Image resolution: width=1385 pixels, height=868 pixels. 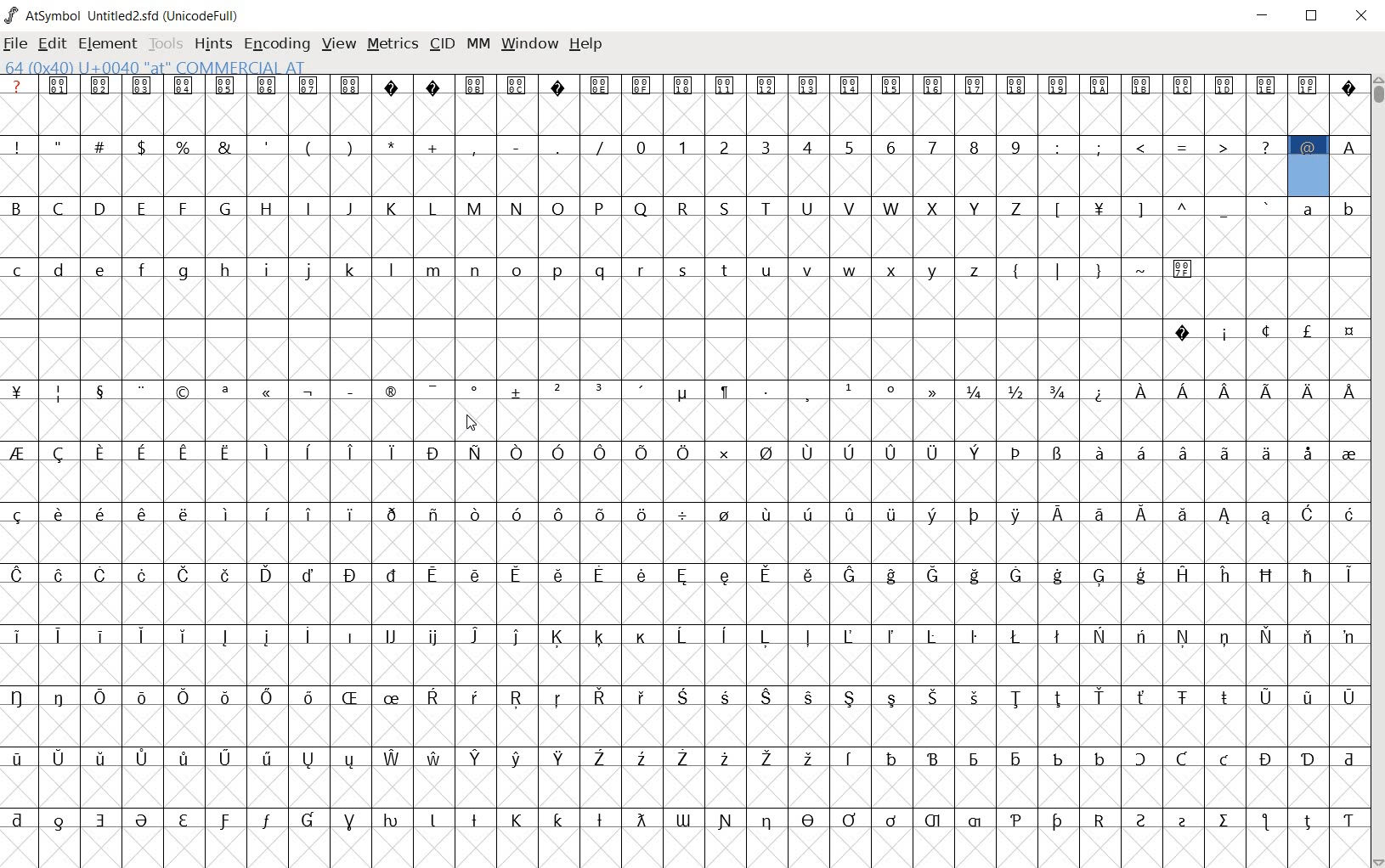 What do you see at coordinates (1349, 84) in the screenshot?
I see `unsupported charters` at bounding box center [1349, 84].